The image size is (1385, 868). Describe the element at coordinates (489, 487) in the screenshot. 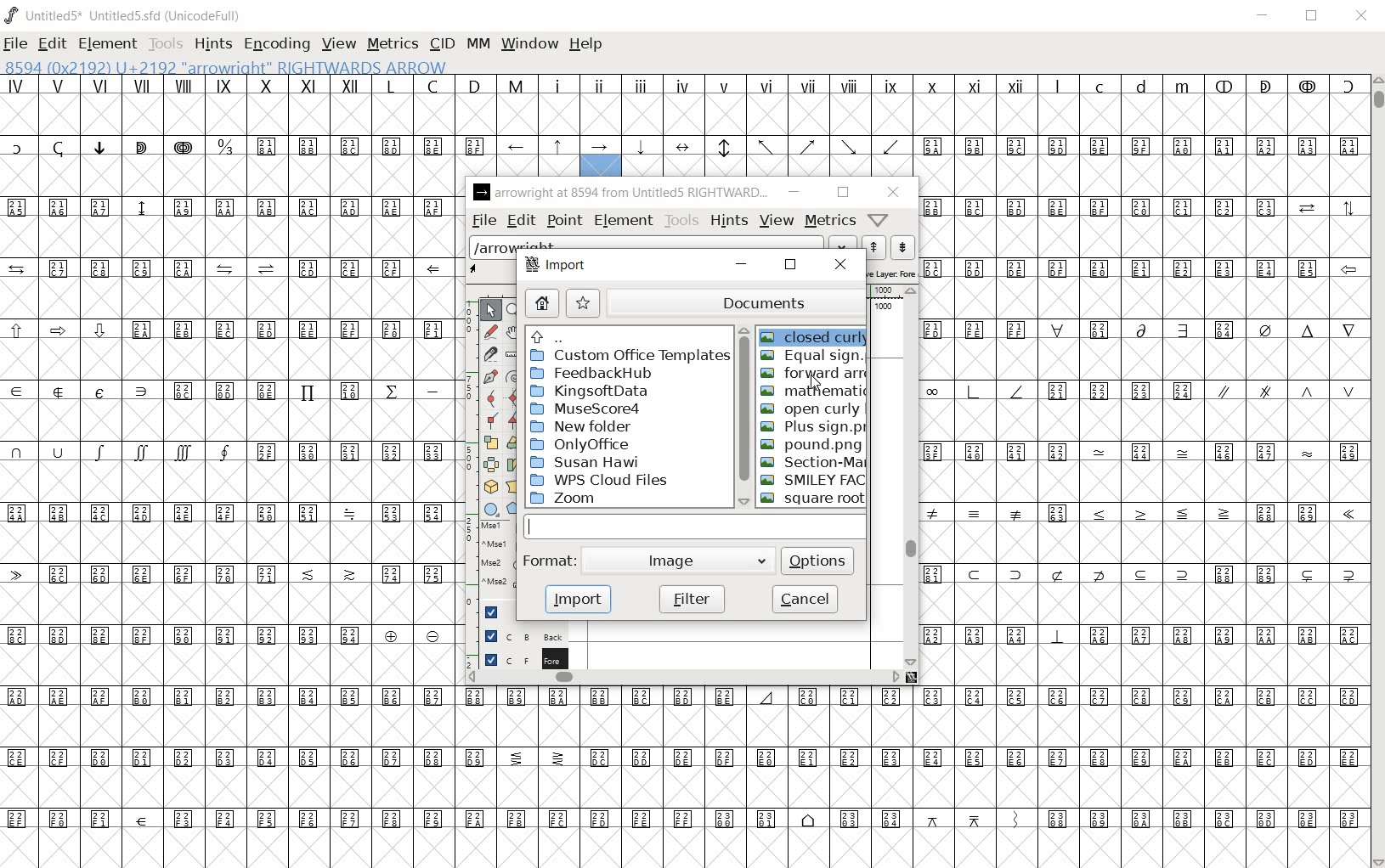

I see `rotate the selection in 3D and project back to plane` at that location.